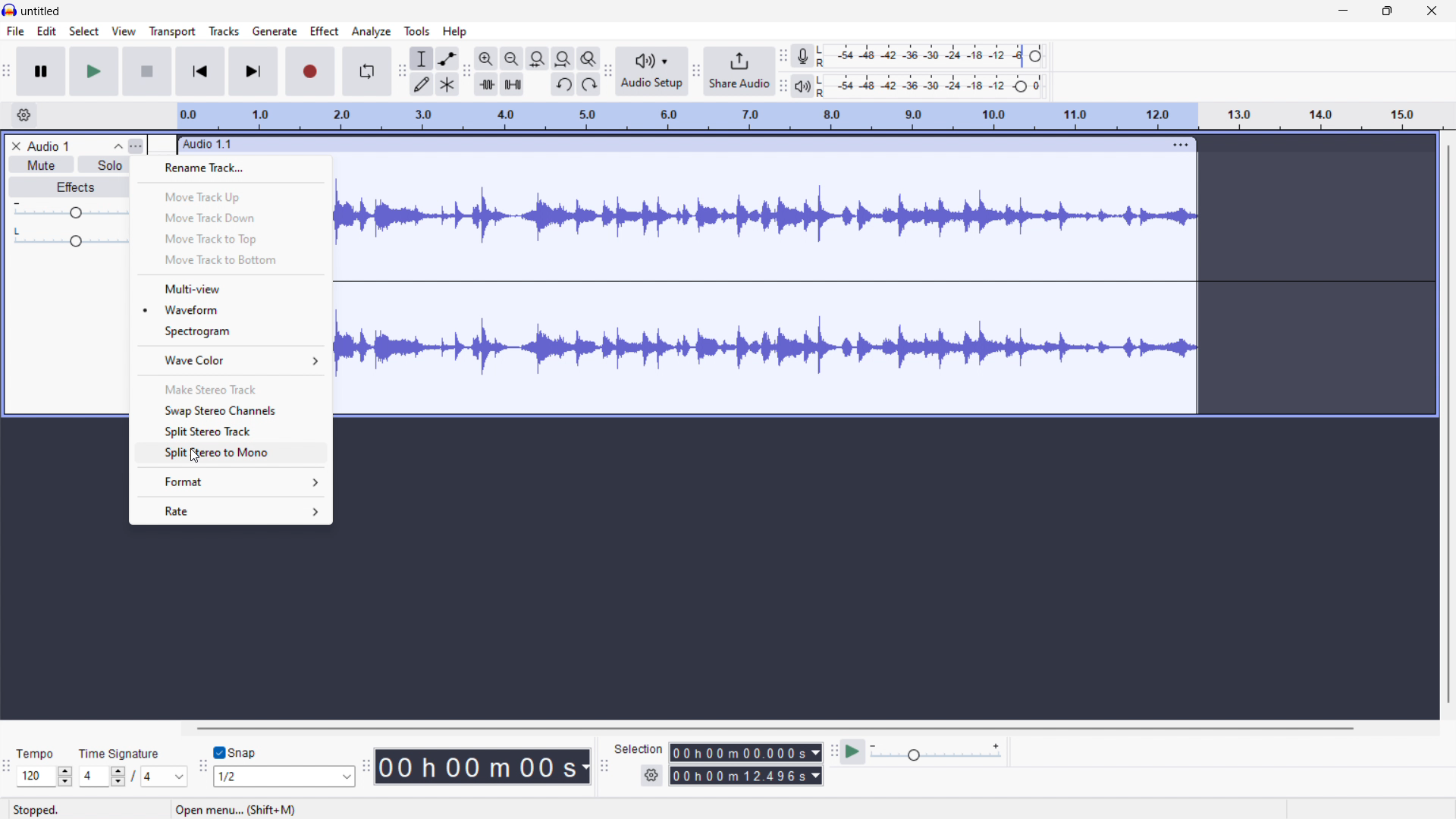  I want to click on stop, so click(147, 71).